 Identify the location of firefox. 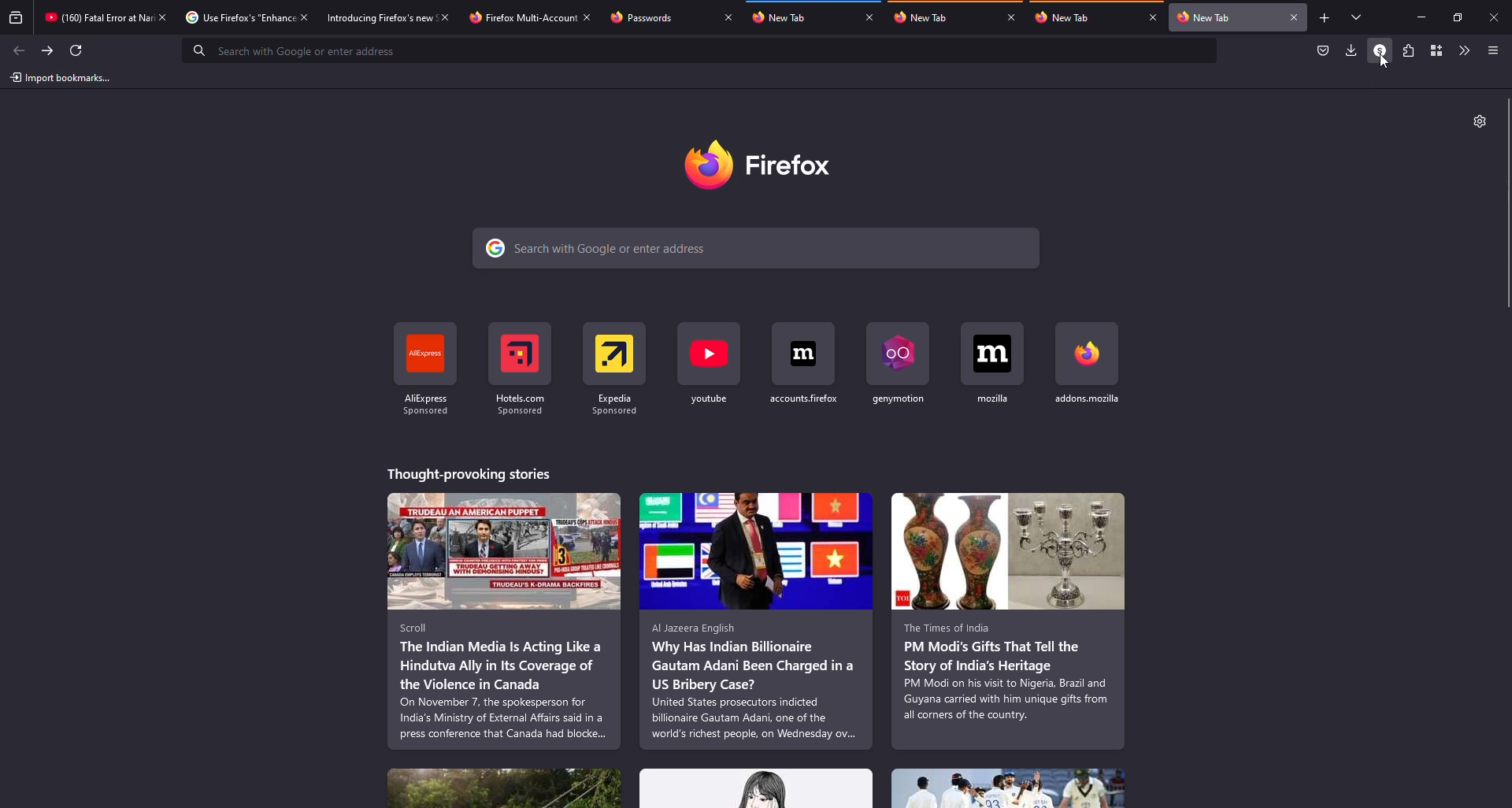
(756, 163).